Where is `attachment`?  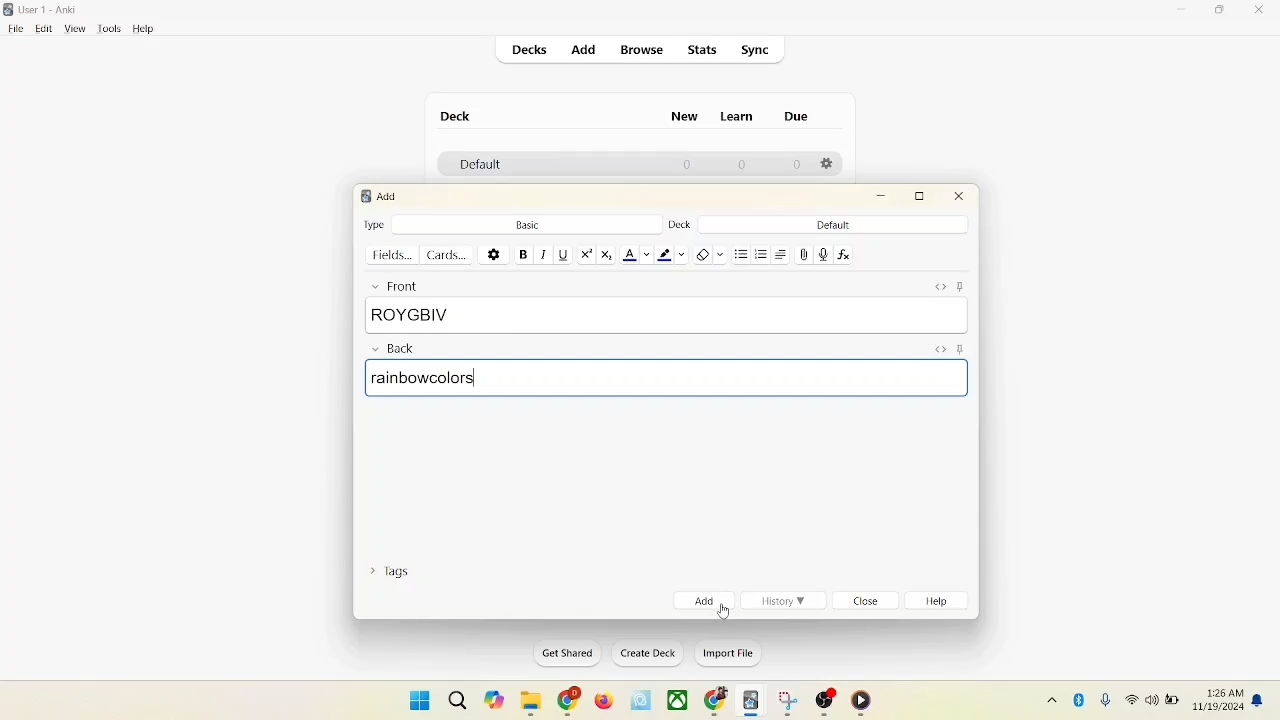
attachment is located at coordinates (804, 255).